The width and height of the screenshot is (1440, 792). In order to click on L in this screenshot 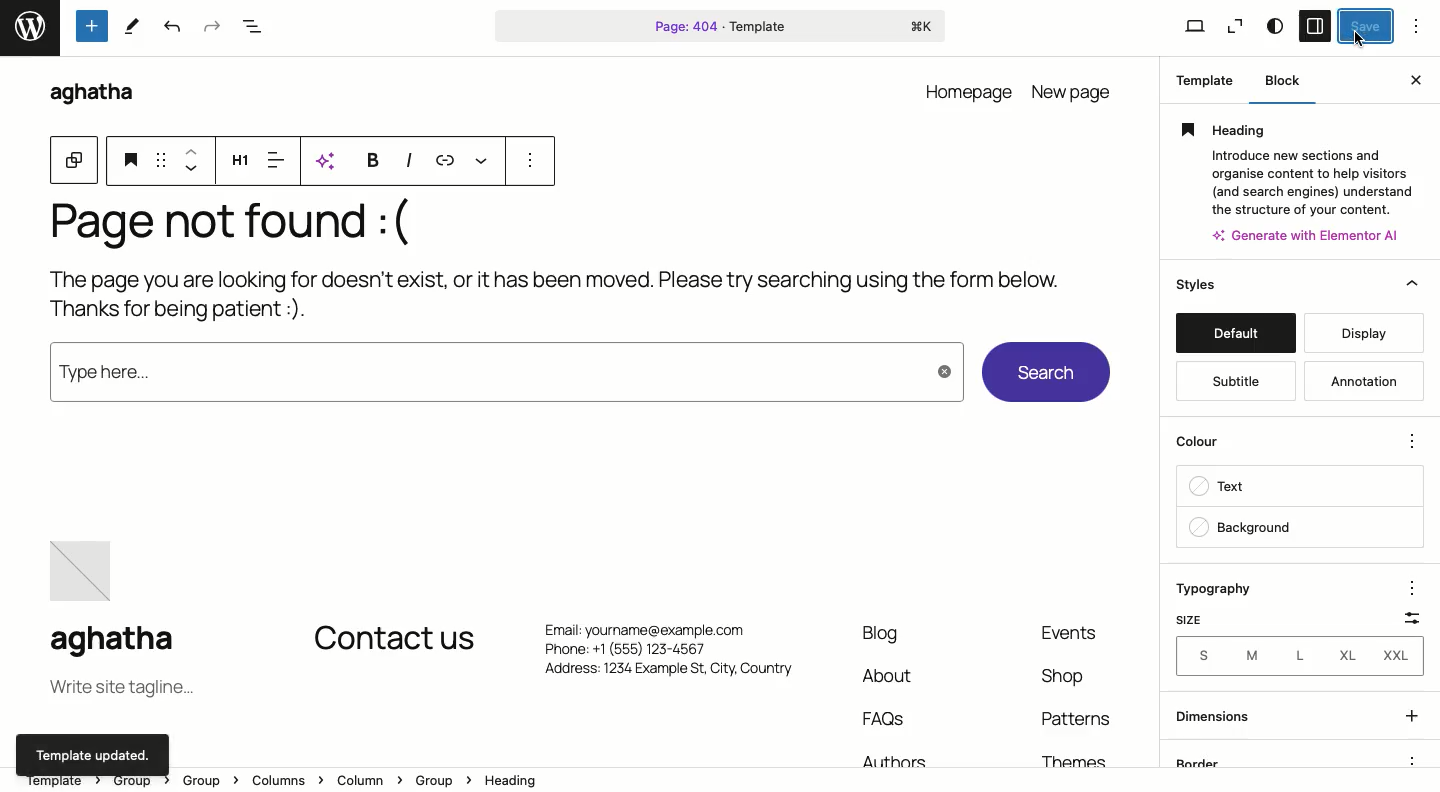, I will do `click(1296, 656)`.